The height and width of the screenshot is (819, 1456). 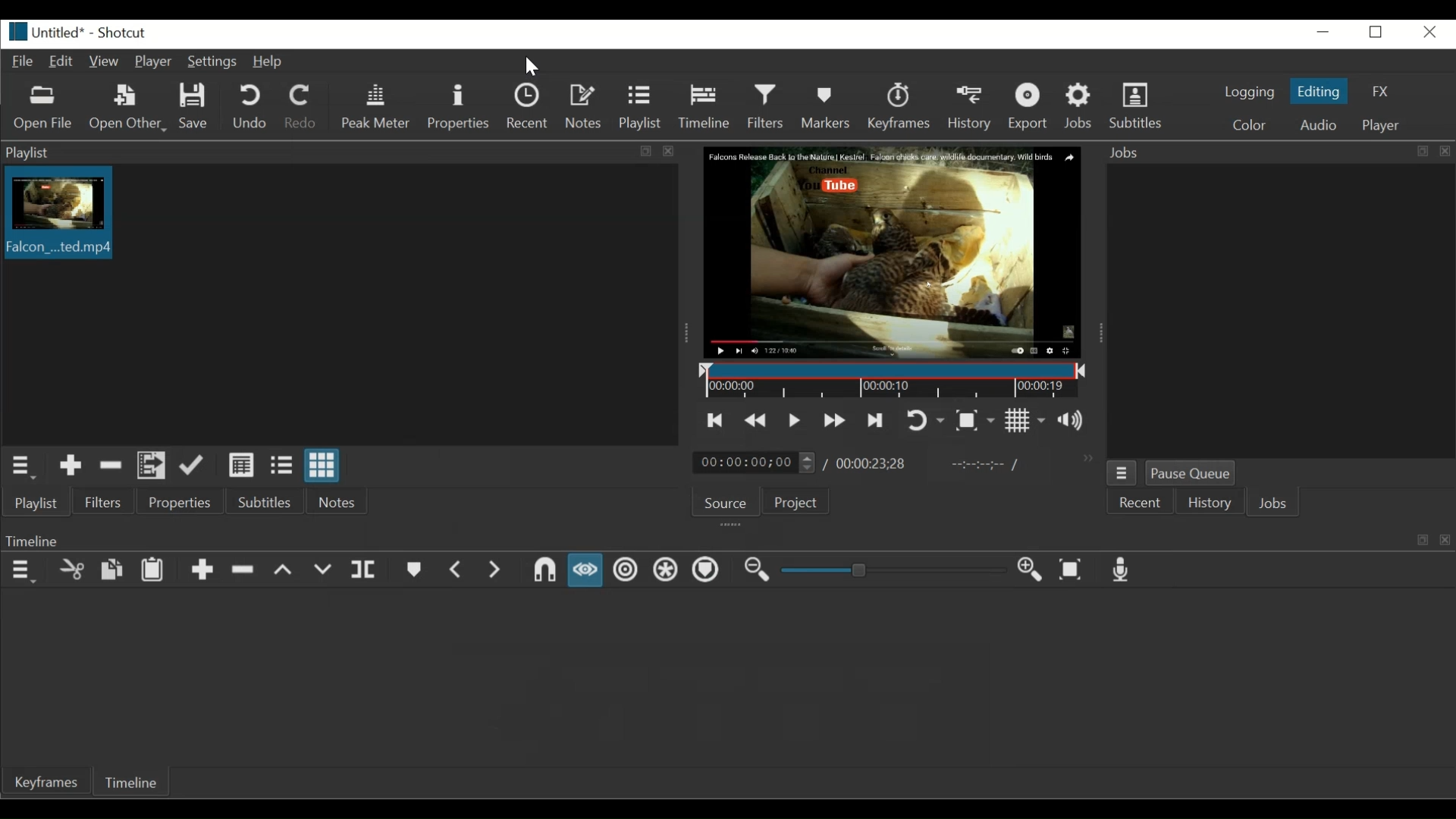 I want to click on Skip to the next point, so click(x=874, y=419).